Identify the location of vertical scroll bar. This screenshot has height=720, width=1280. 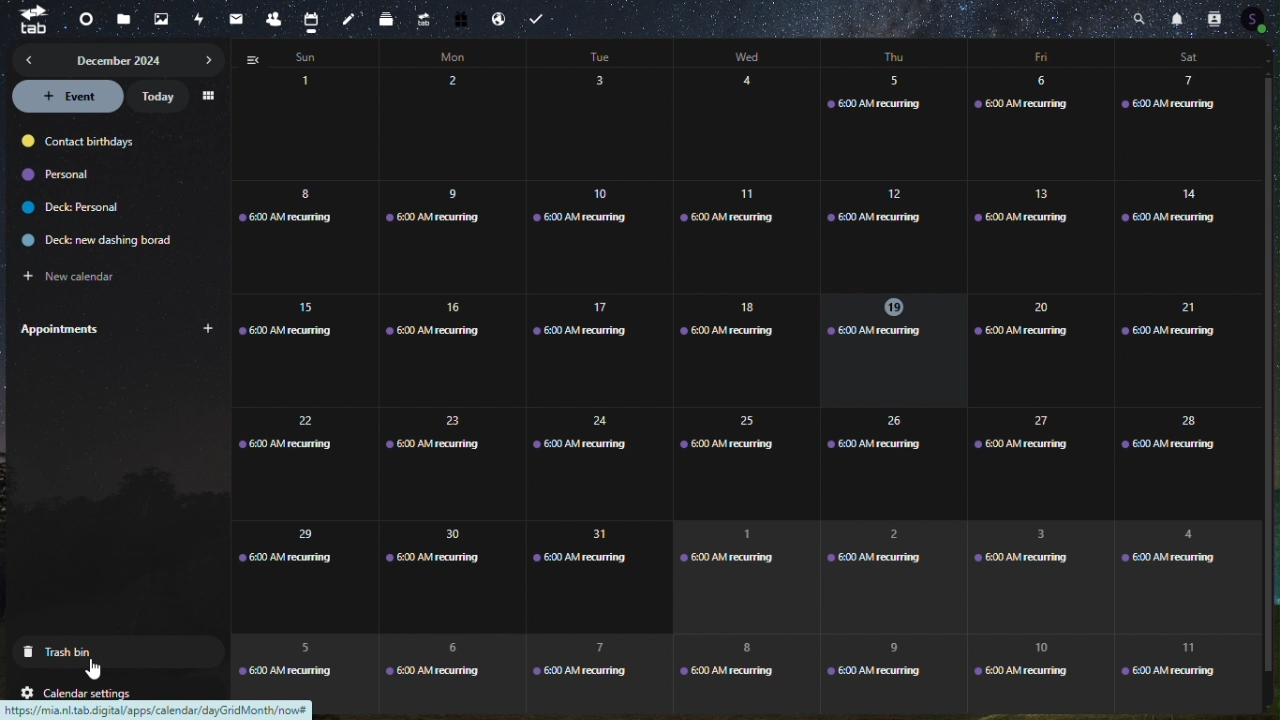
(1272, 374).